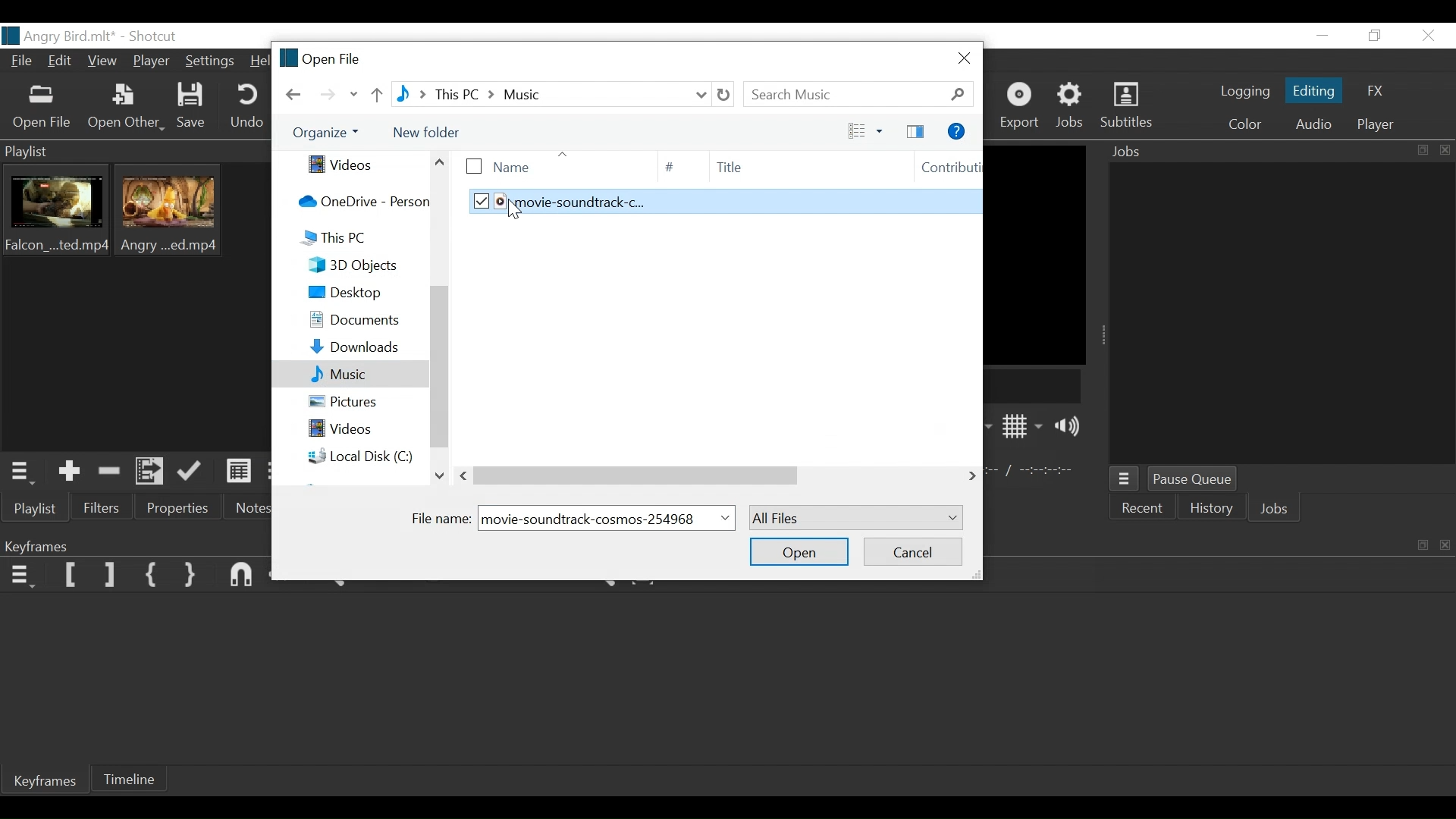 Image resolution: width=1456 pixels, height=819 pixels. I want to click on Help, so click(258, 62).